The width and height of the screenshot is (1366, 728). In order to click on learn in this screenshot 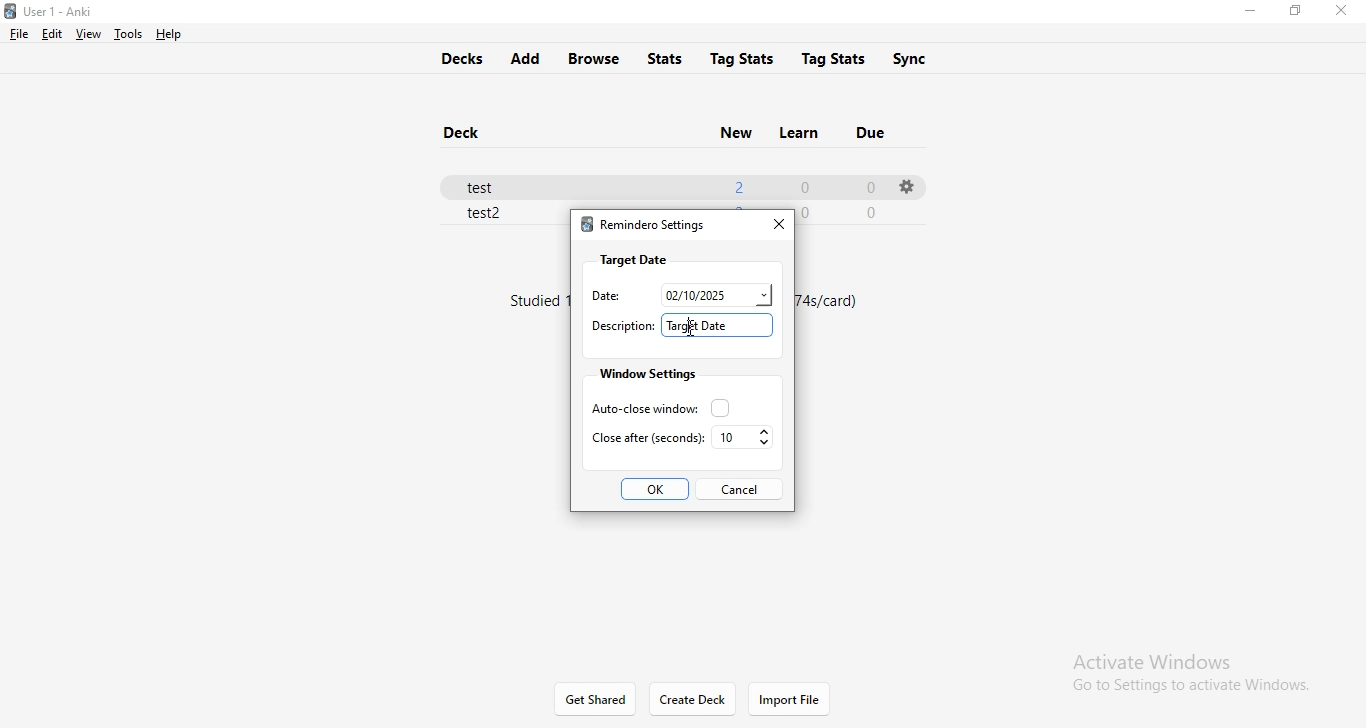, I will do `click(796, 130)`.